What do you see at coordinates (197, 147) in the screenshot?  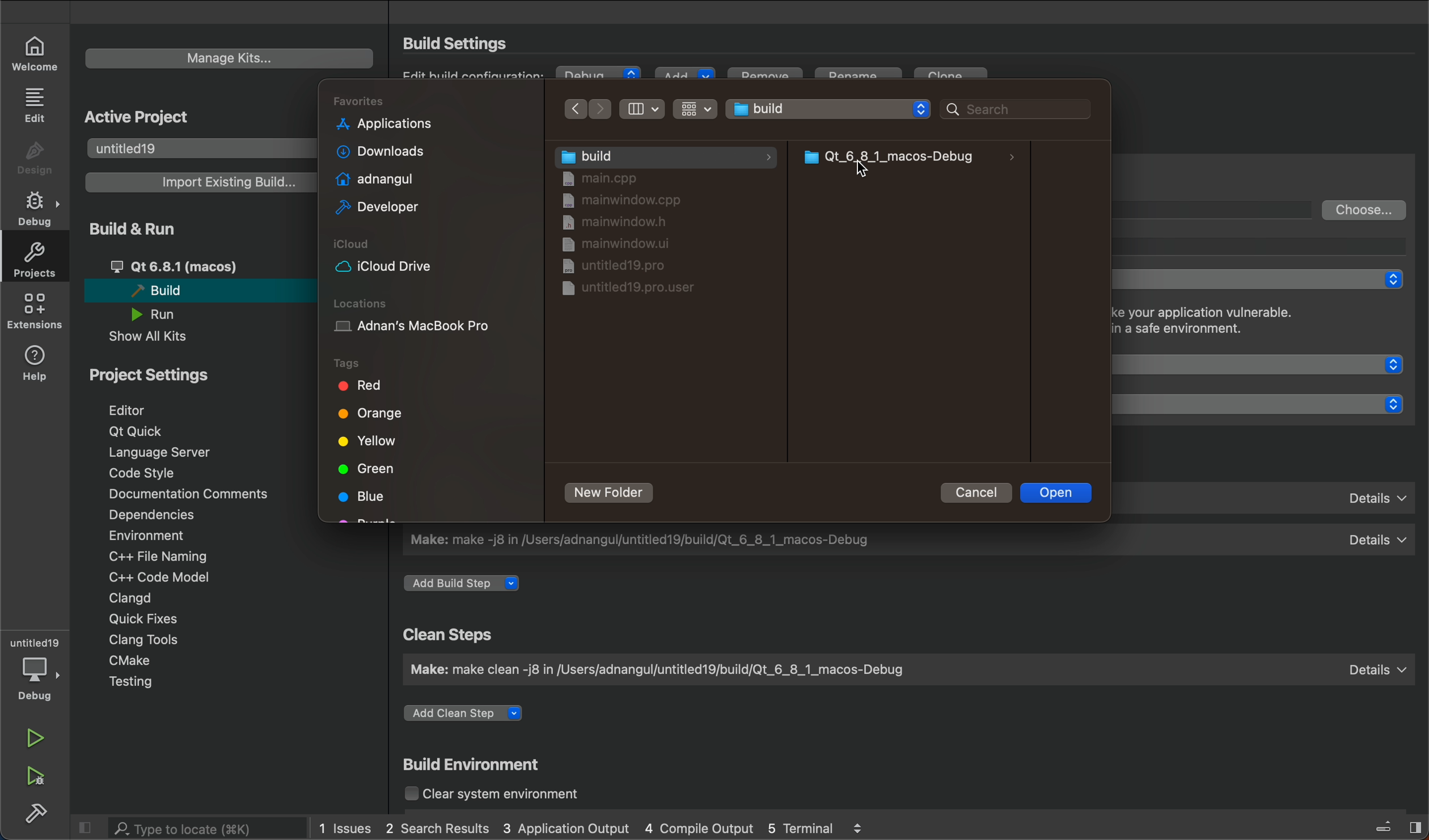 I see `untitled` at bounding box center [197, 147].